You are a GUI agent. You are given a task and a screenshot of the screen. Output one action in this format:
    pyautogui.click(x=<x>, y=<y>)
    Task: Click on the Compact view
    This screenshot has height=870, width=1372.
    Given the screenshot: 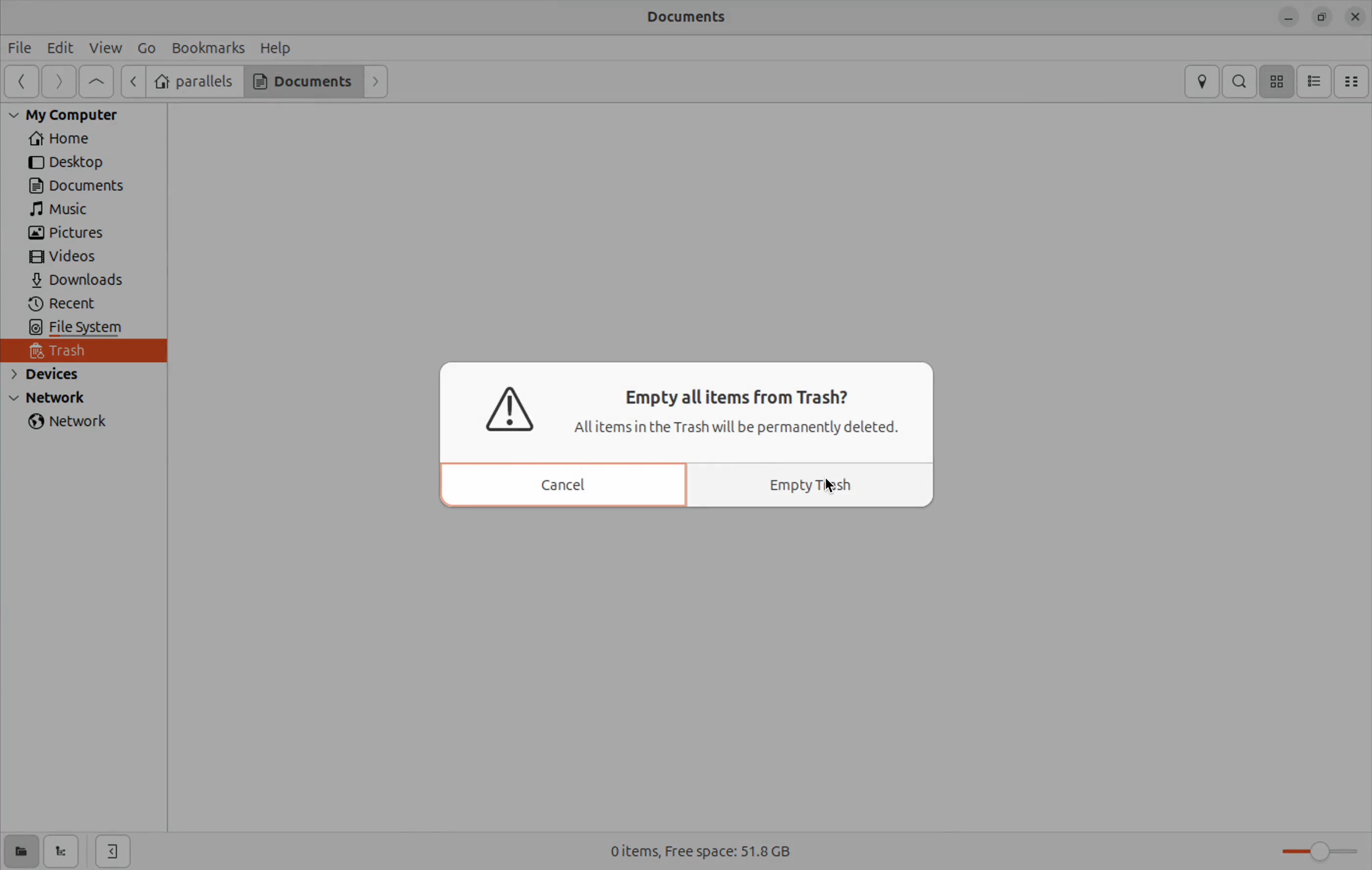 What is the action you would take?
    pyautogui.click(x=1354, y=81)
    